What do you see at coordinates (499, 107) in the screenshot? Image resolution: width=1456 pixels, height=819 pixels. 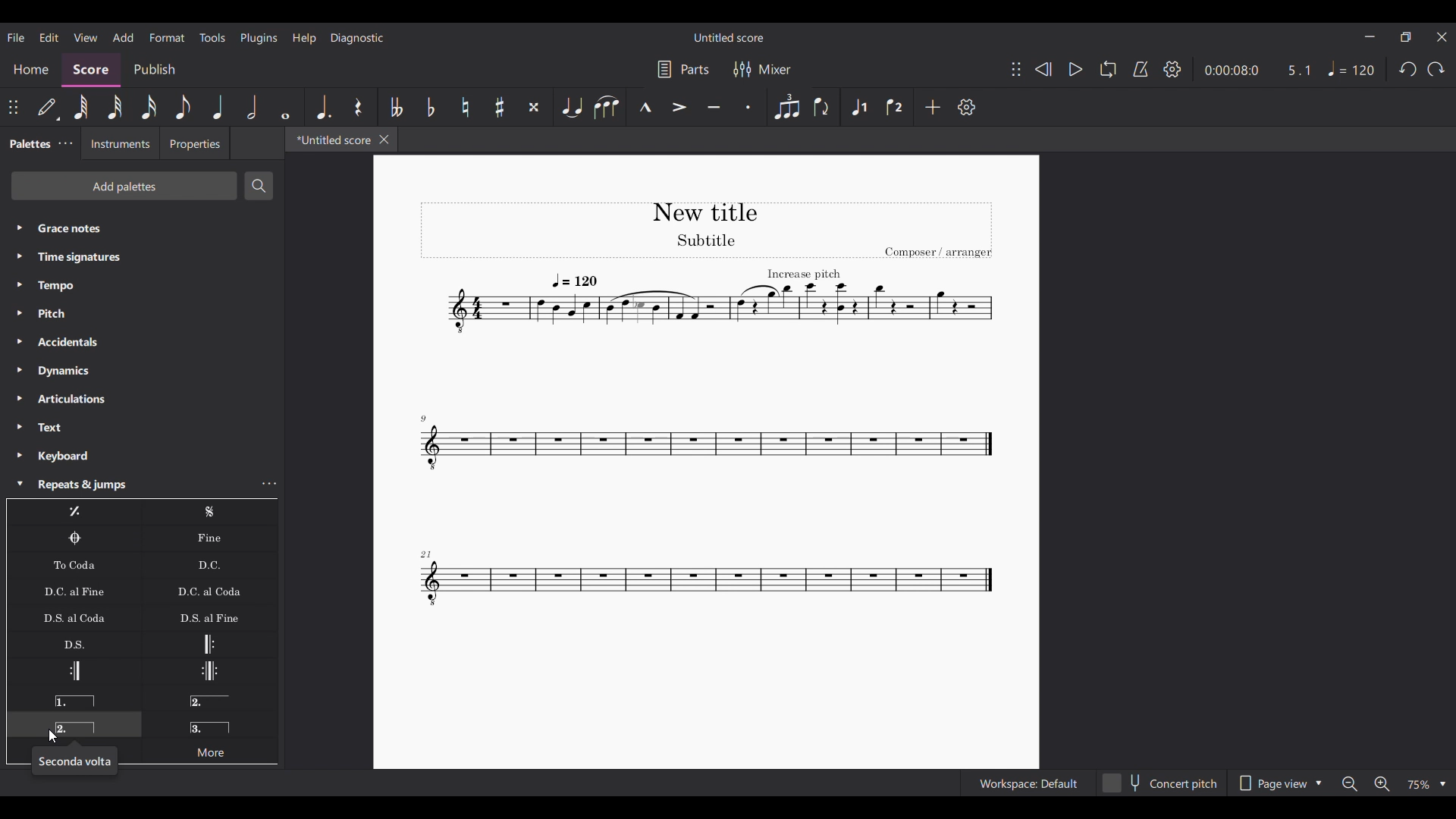 I see `Toggle sharp` at bounding box center [499, 107].